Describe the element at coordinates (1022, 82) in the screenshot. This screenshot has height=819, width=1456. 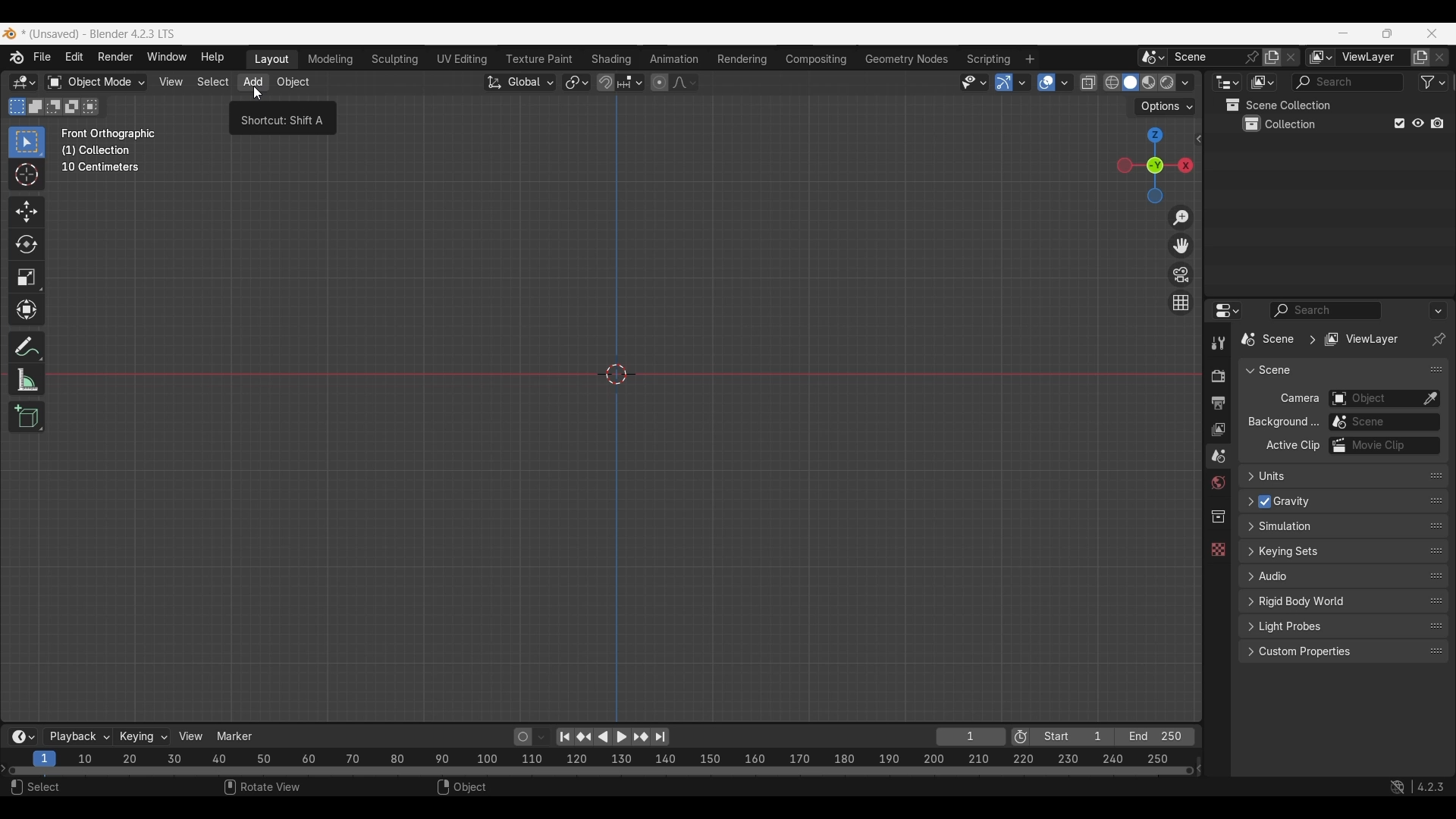
I see `Gizmos` at that location.